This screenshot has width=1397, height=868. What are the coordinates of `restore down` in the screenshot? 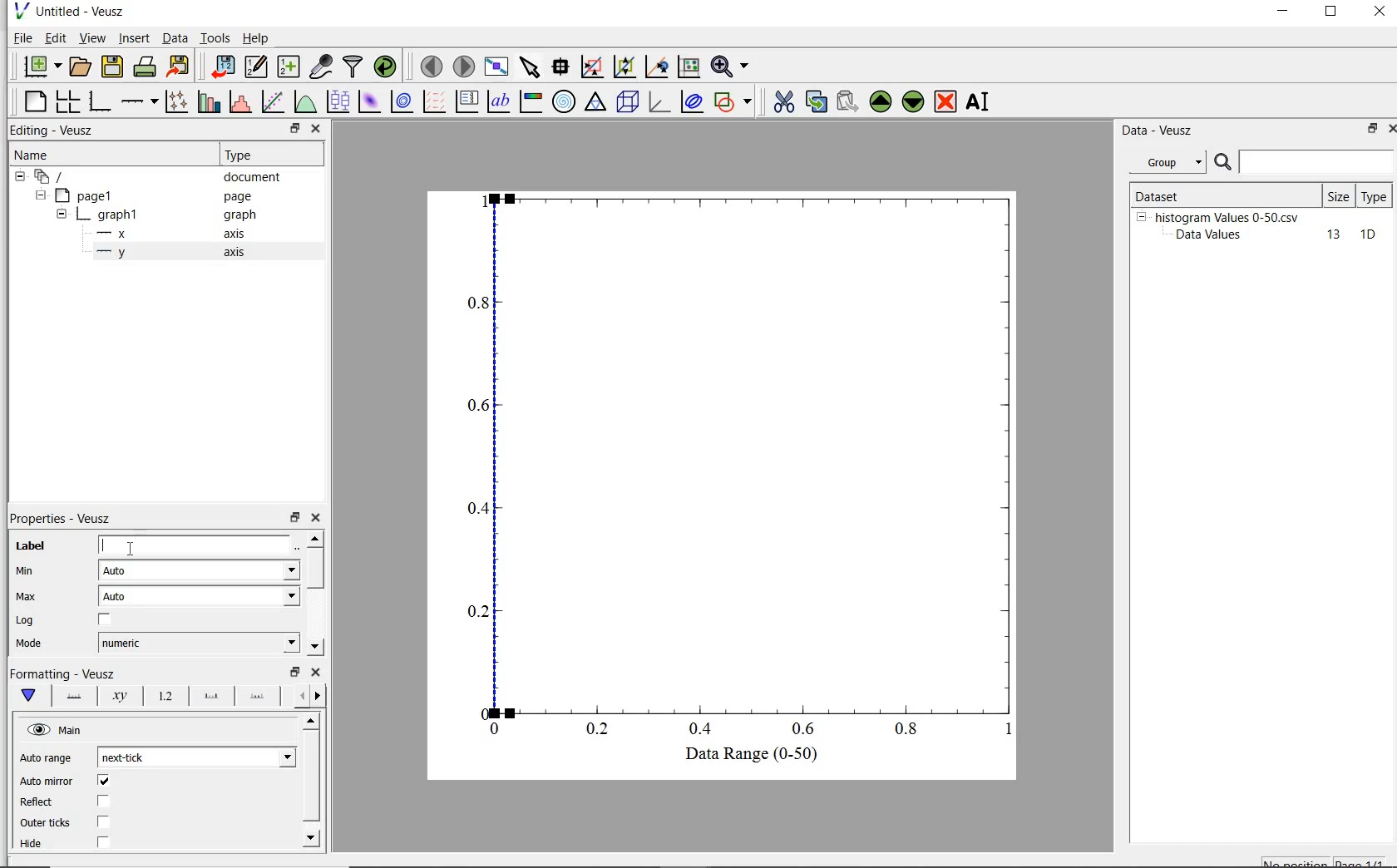 It's located at (295, 518).